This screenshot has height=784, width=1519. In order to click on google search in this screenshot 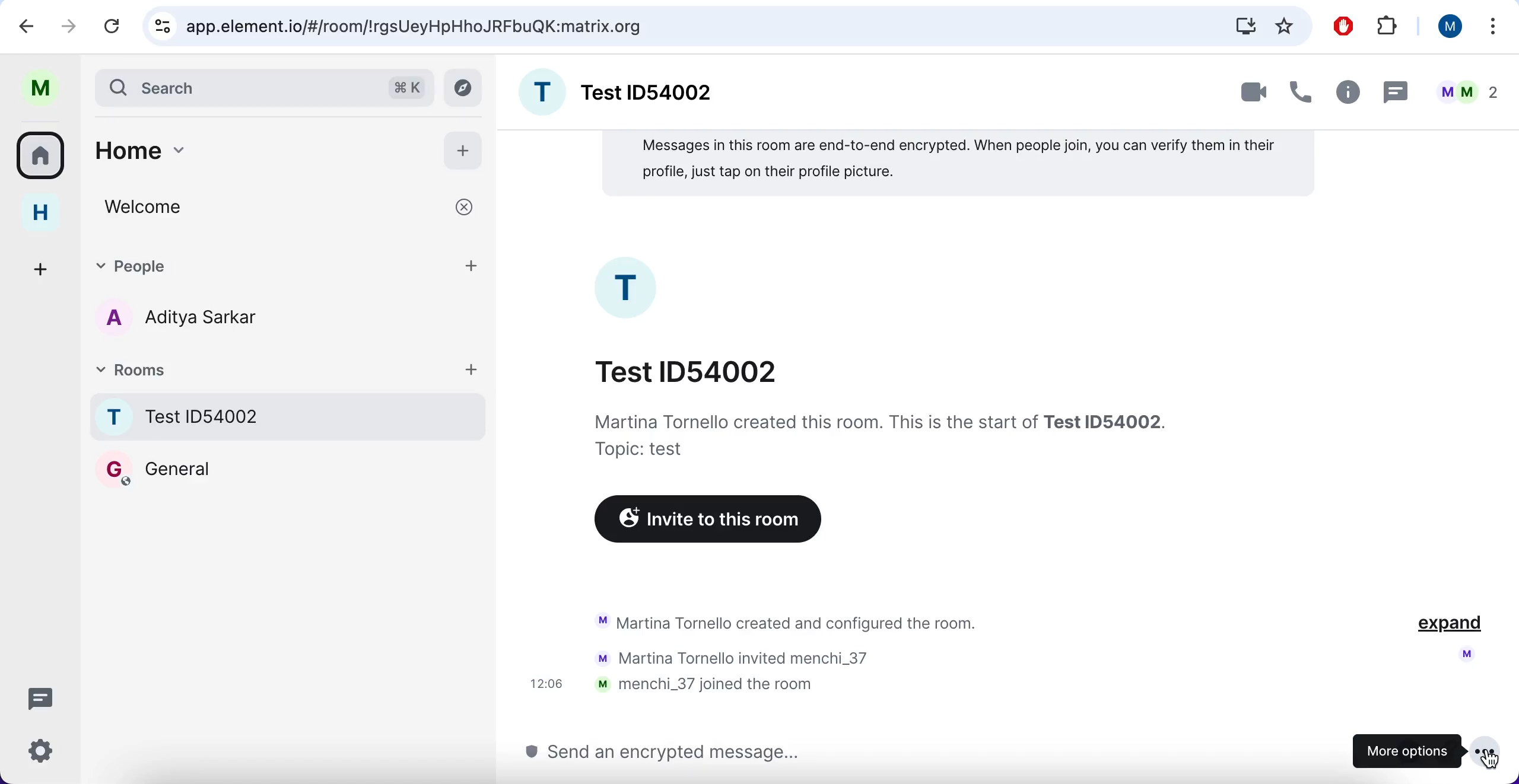, I will do `click(418, 27)`.